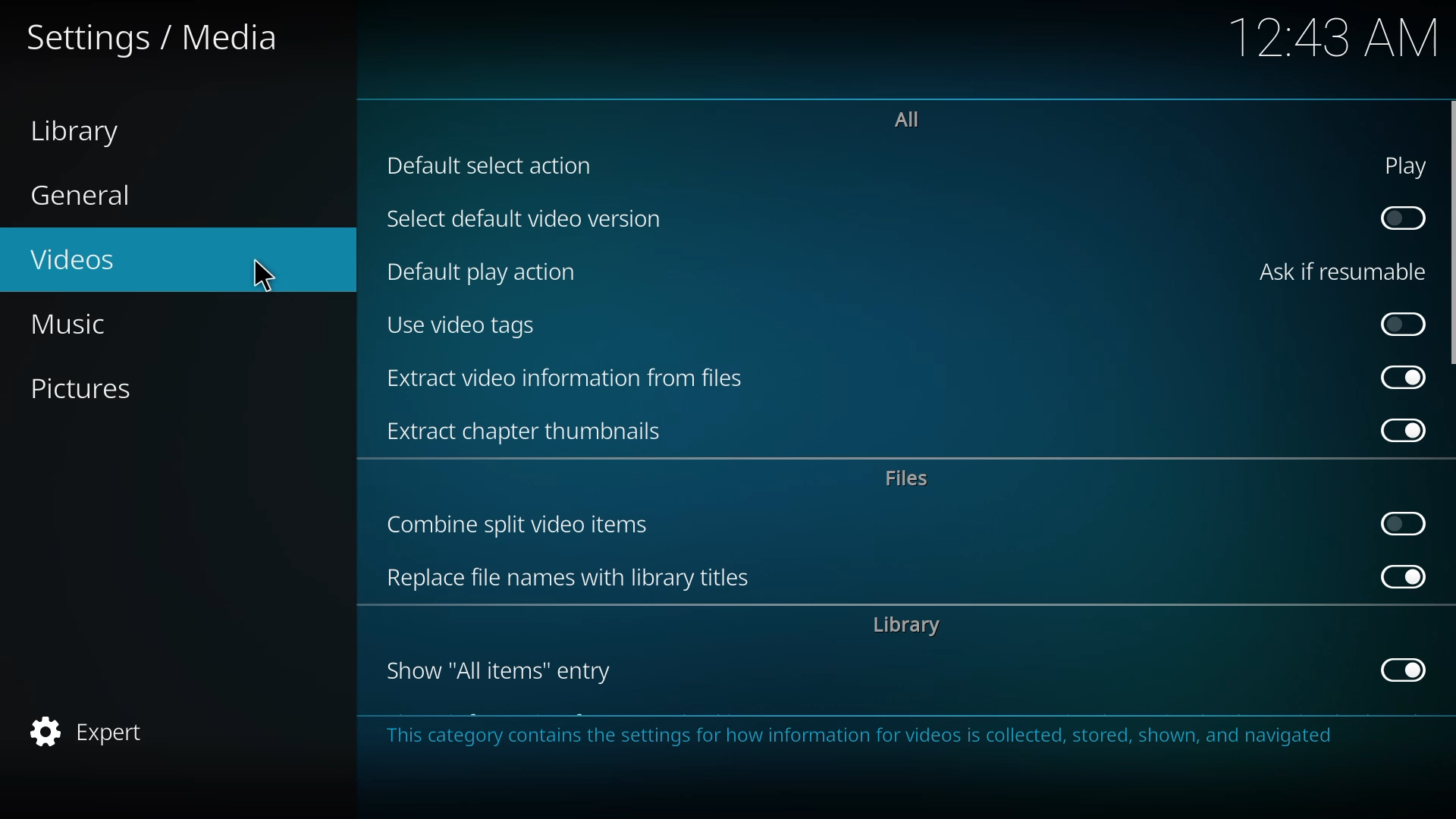  I want to click on library, so click(85, 129).